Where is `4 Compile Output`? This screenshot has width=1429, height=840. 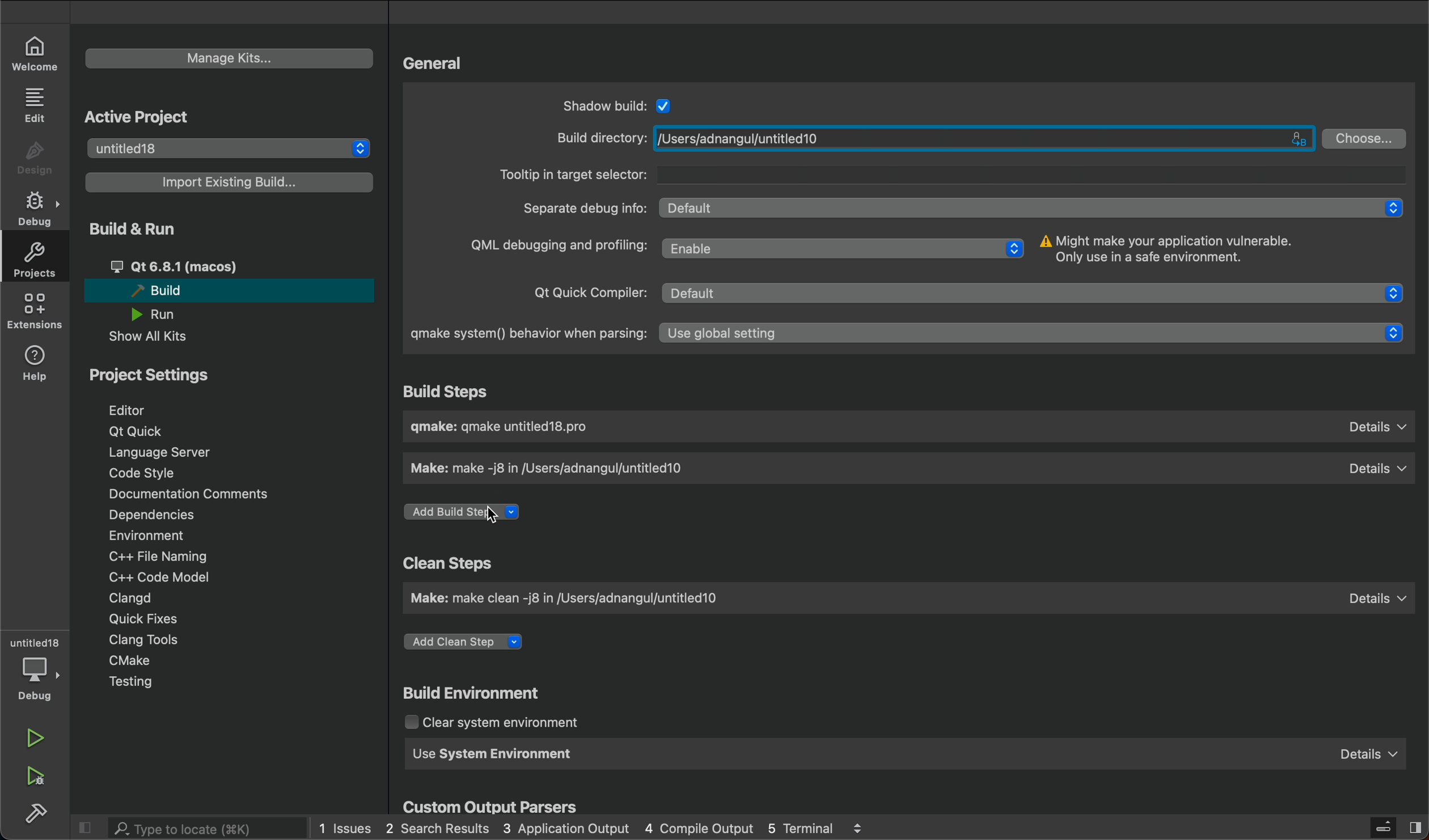
4 Compile Output is located at coordinates (697, 826).